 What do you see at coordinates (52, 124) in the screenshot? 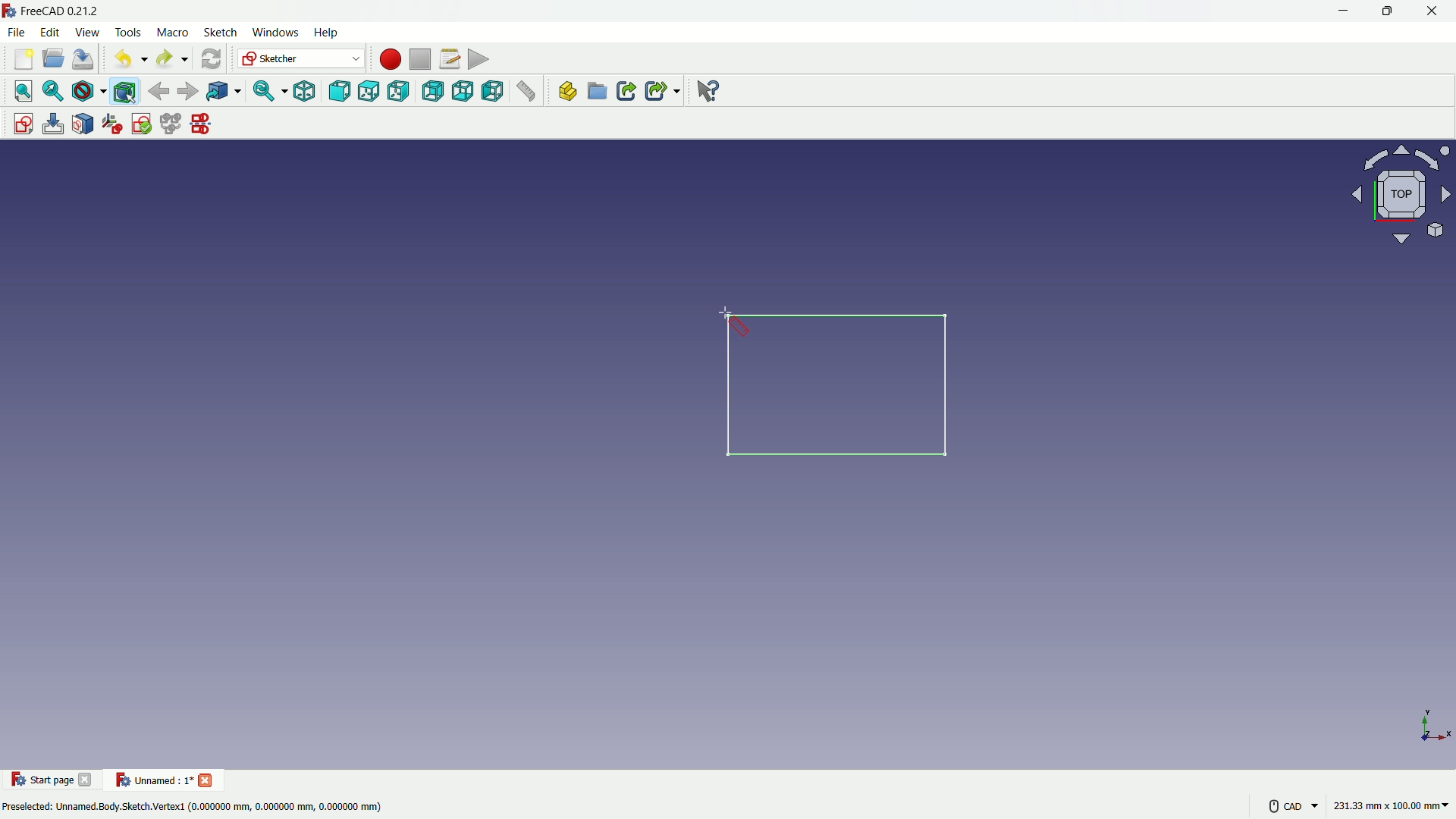
I see `edit sketch` at bounding box center [52, 124].